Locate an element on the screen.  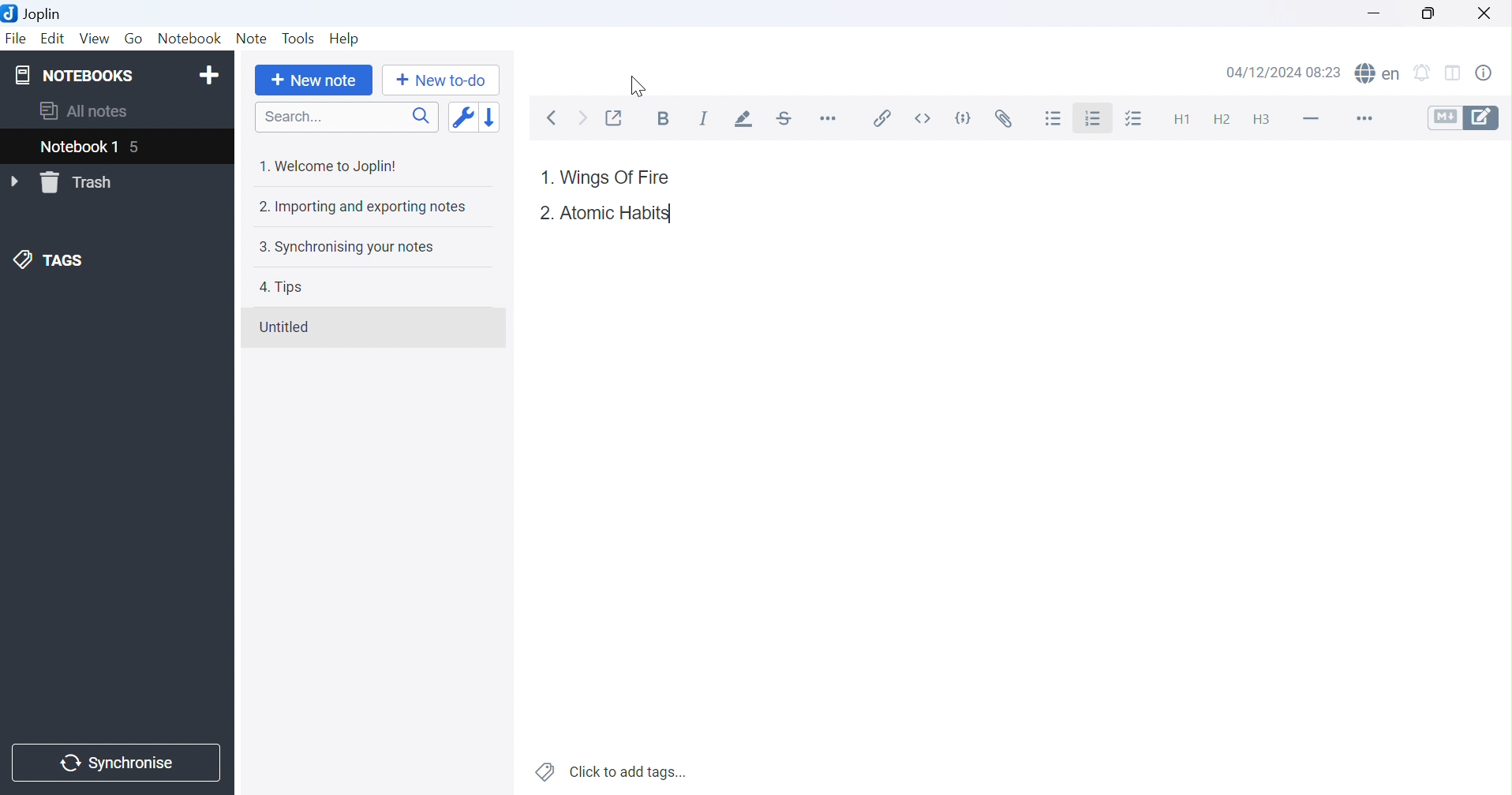
Spell checker is located at coordinates (1379, 72).